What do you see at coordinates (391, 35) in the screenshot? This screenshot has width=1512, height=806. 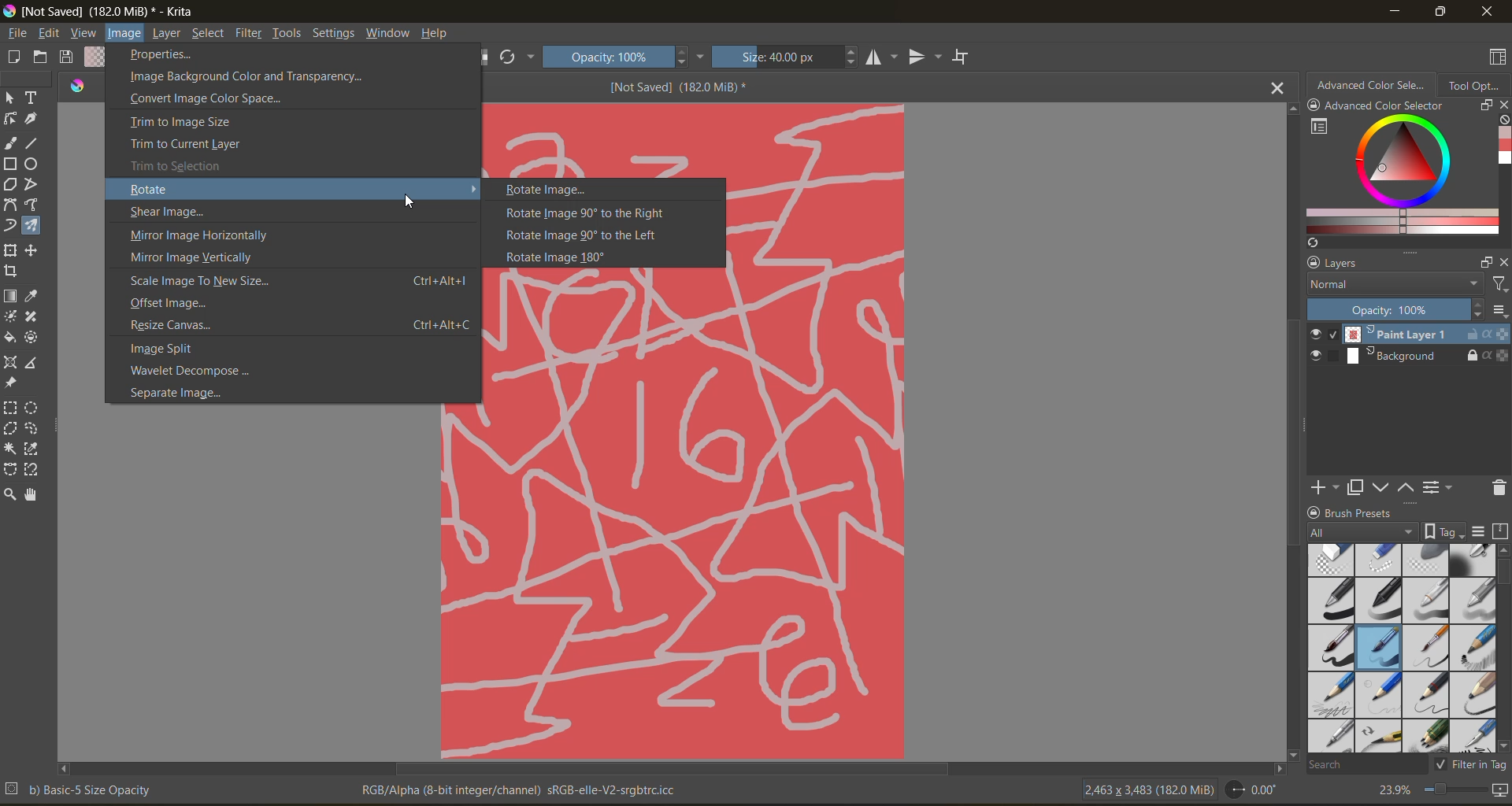 I see `window` at bounding box center [391, 35].